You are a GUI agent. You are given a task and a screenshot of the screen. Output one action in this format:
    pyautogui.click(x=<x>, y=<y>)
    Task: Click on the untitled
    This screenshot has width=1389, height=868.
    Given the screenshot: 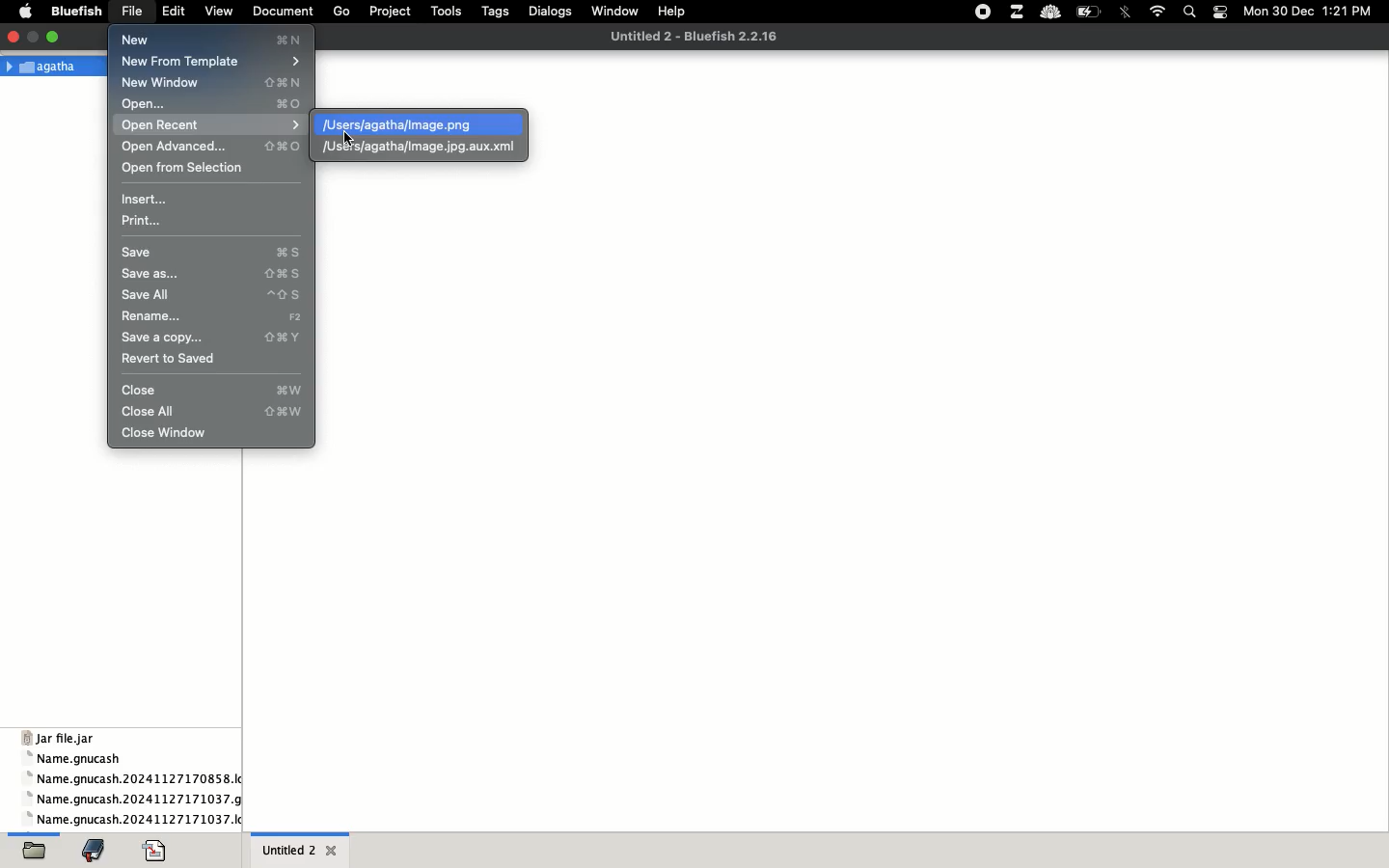 What is the action you would take?
    pyautogui.click(x=288, y=851)
    